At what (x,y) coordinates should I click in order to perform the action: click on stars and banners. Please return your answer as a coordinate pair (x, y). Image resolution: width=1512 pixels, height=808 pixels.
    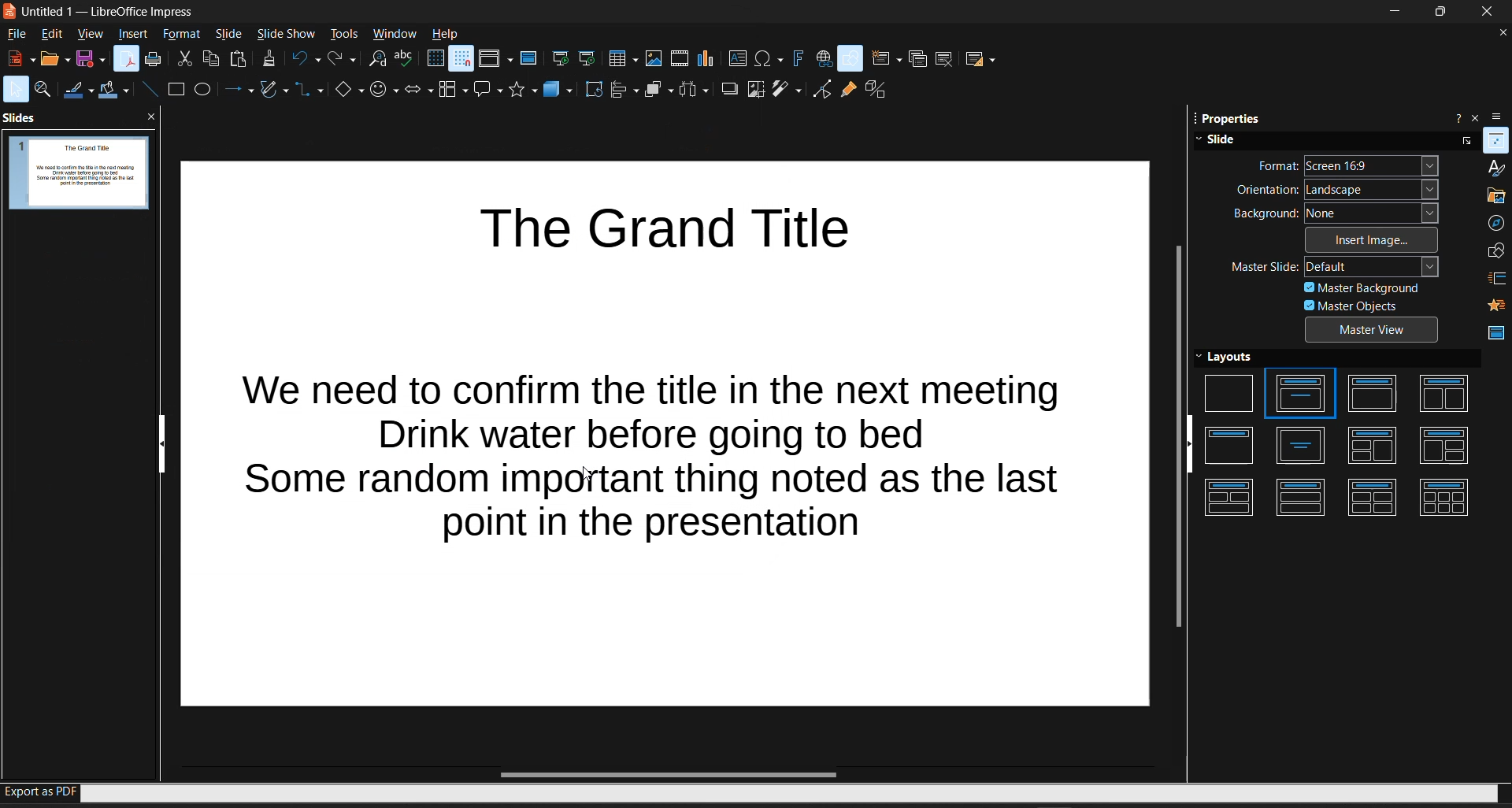
    Looking at the image, I should click on (523, 91).